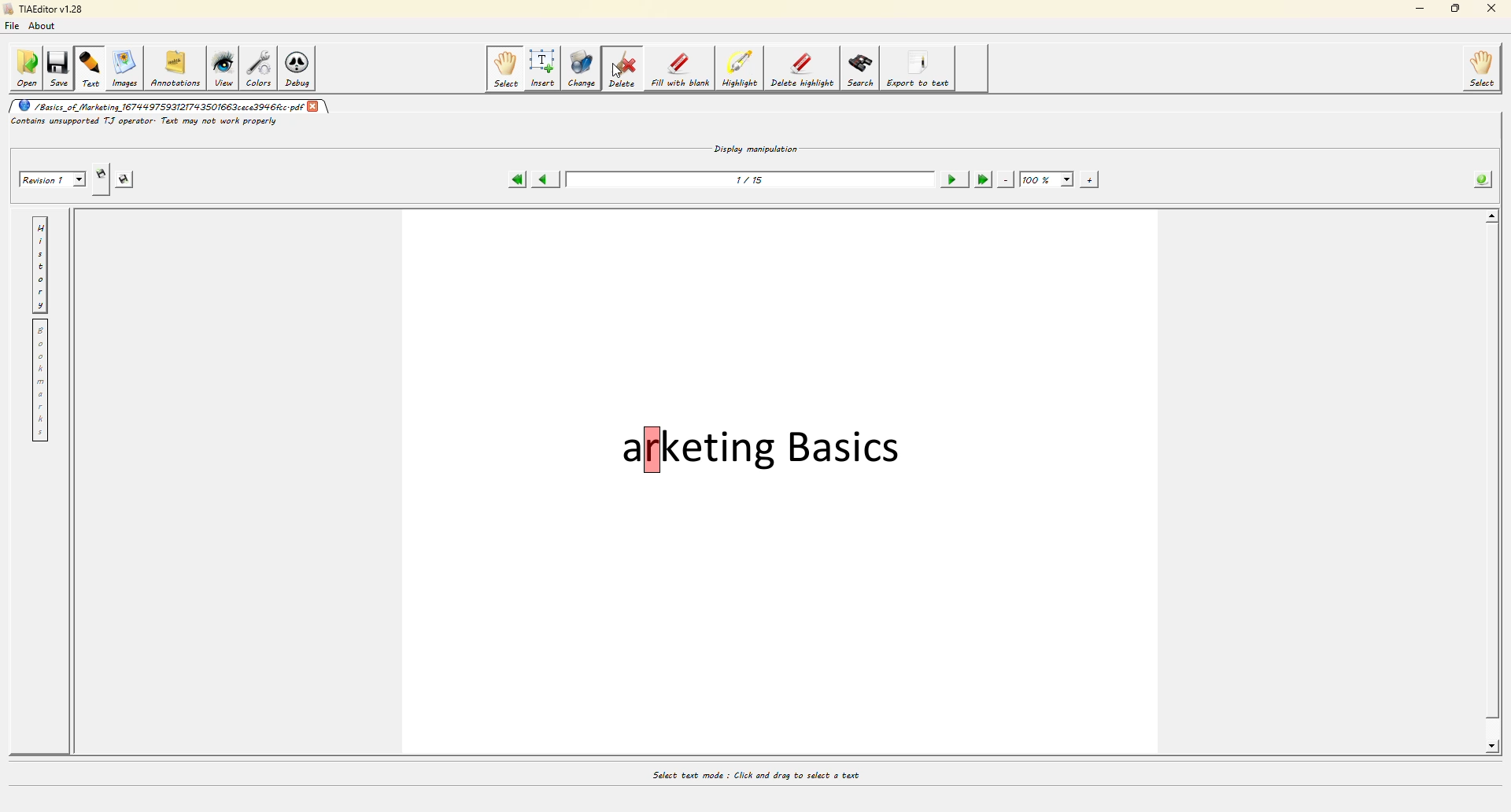 The image size is (1511, 812). Describe the element at coordinates (1046, 176) in the screenshot. I see `100%` at that location.